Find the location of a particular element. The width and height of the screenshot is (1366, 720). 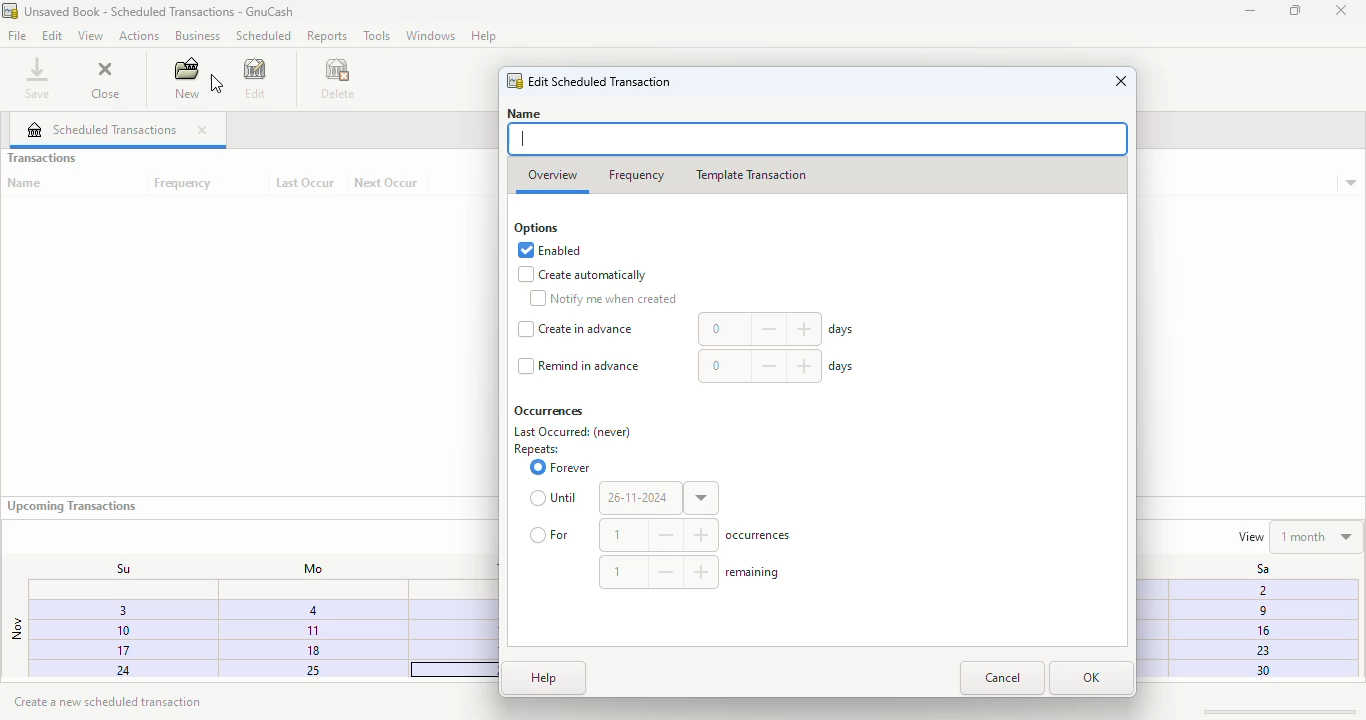

create a new scheduled transaction is located at coordinates (111, 701).